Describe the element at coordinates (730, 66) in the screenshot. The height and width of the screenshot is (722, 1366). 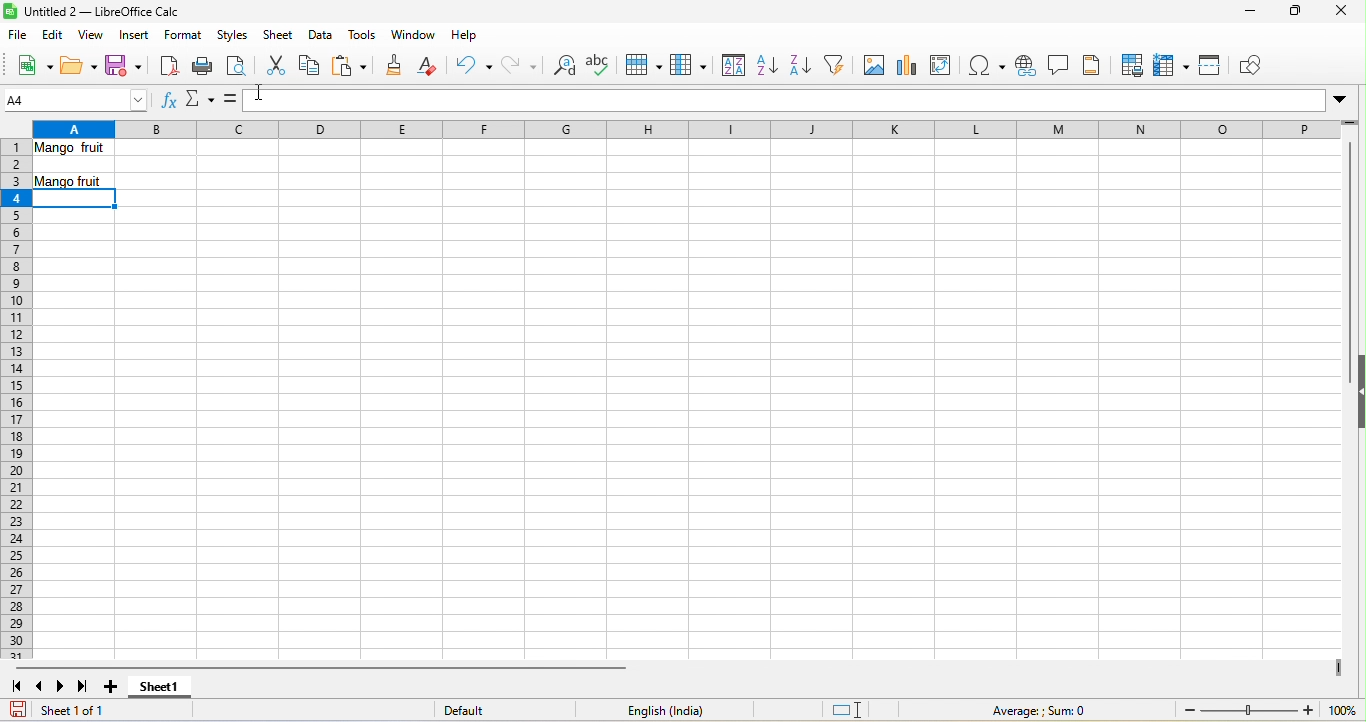
I see `sort` at that location.